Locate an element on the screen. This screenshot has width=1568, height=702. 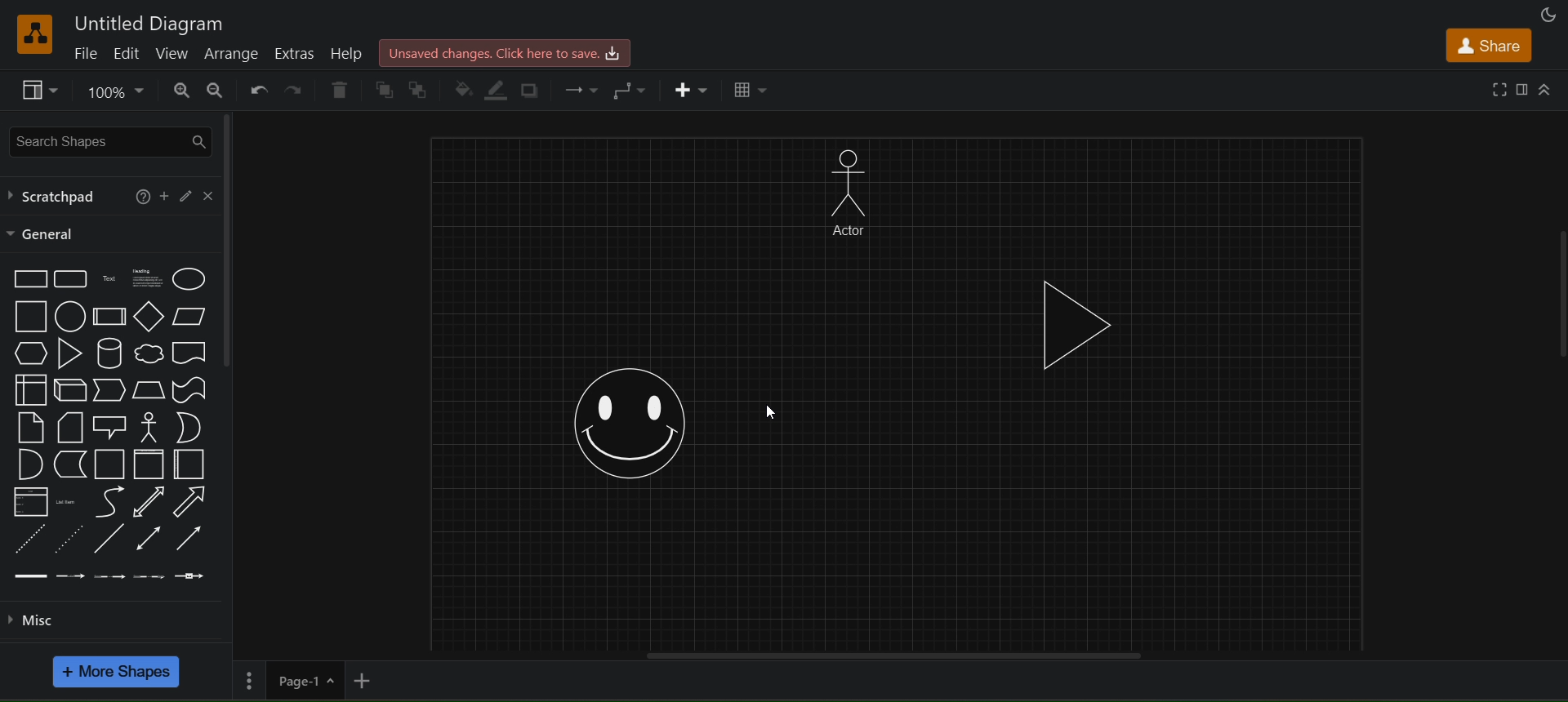
more shapes is located at coordinates (118, 673).